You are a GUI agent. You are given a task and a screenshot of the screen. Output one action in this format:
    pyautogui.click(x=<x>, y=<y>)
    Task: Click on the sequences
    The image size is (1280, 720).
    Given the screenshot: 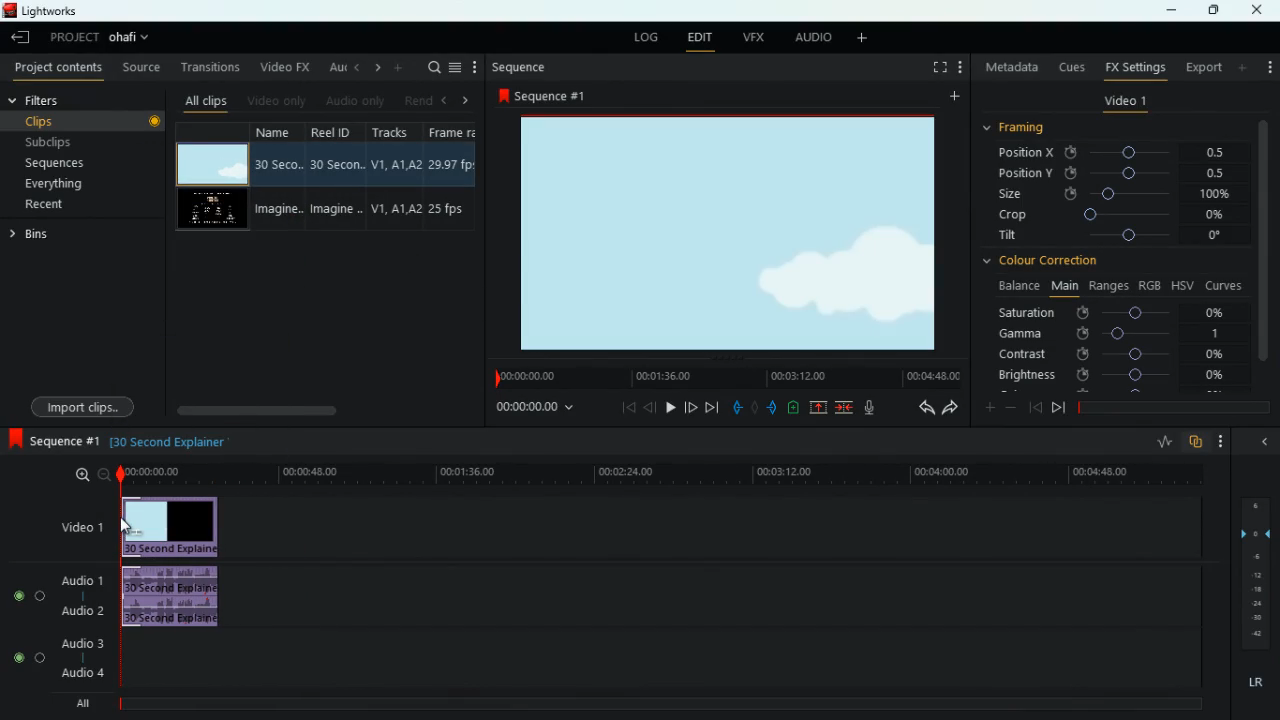 What is the action you would take?
    pyautogui.click(x=58, y=165)
    